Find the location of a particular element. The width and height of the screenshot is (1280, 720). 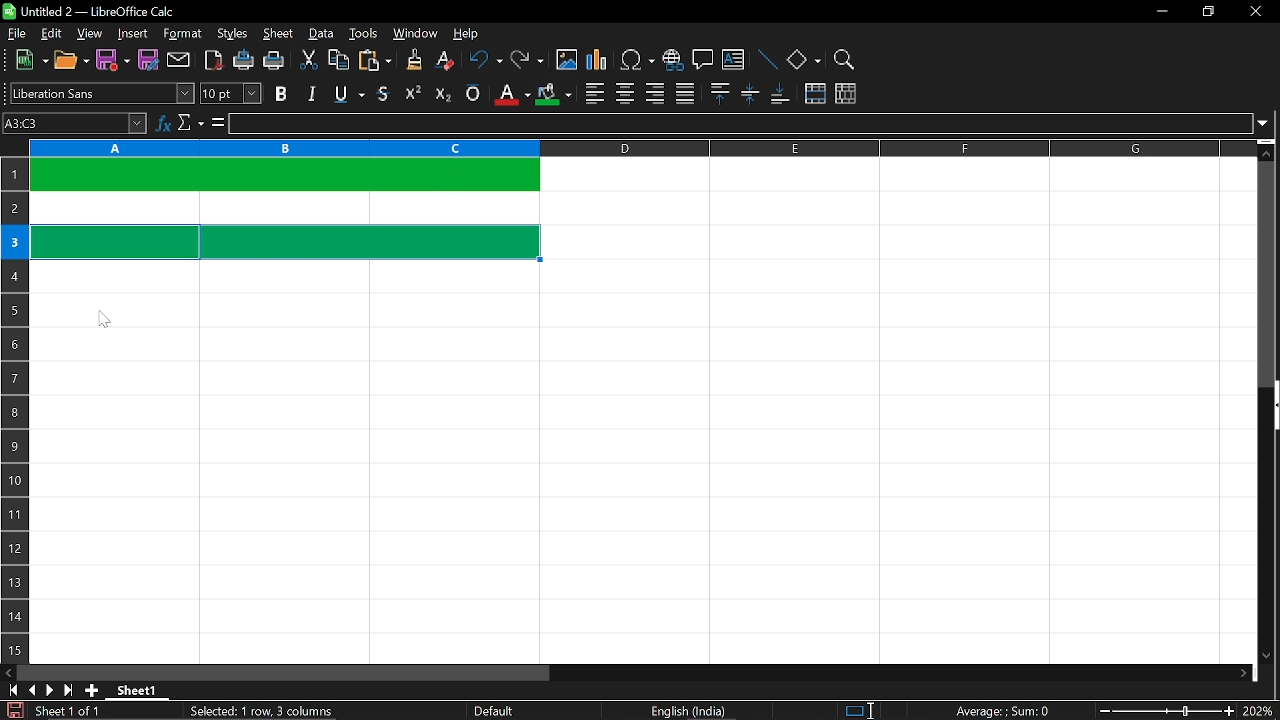

expand formula bar is located at coordinates (1266, 123).